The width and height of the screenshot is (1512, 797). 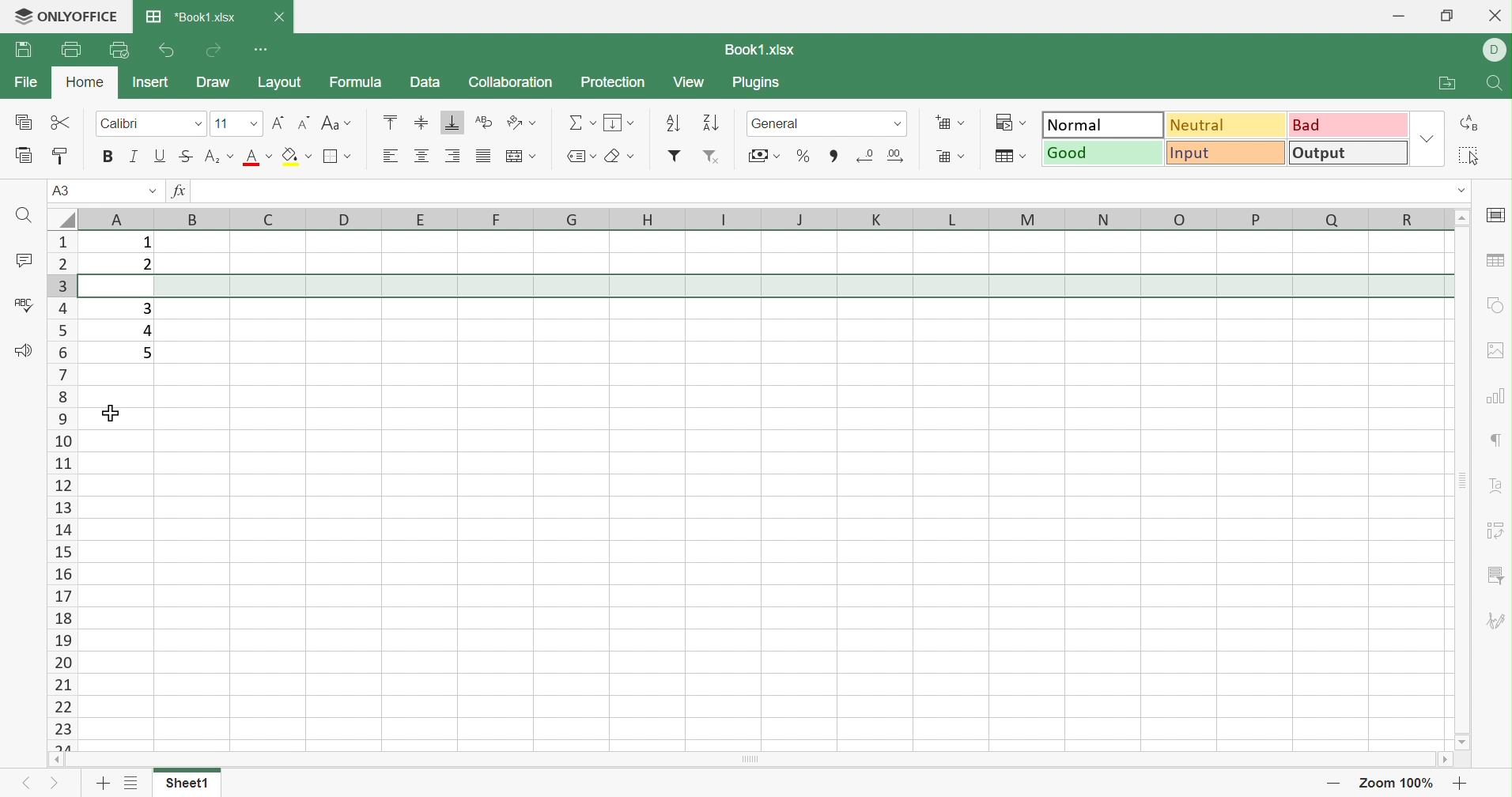 What do you see at coordinates (1346, 126) in the screenshot?
I see `Bad` at bounding box center [1346, 126].